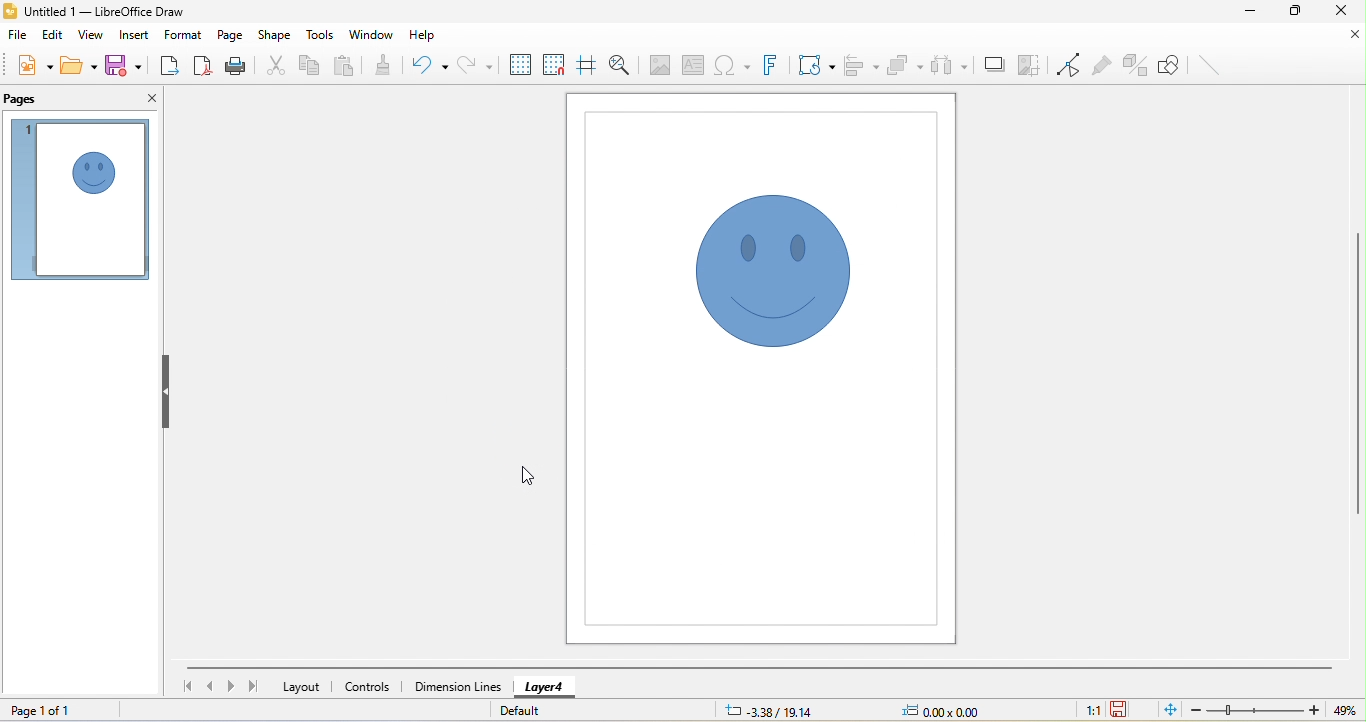 This screenshot has height=722, width=1366. What do you see at coordinates (1346, 37) in the screenshot?
I see `close` at bounding box center [1346, 37].